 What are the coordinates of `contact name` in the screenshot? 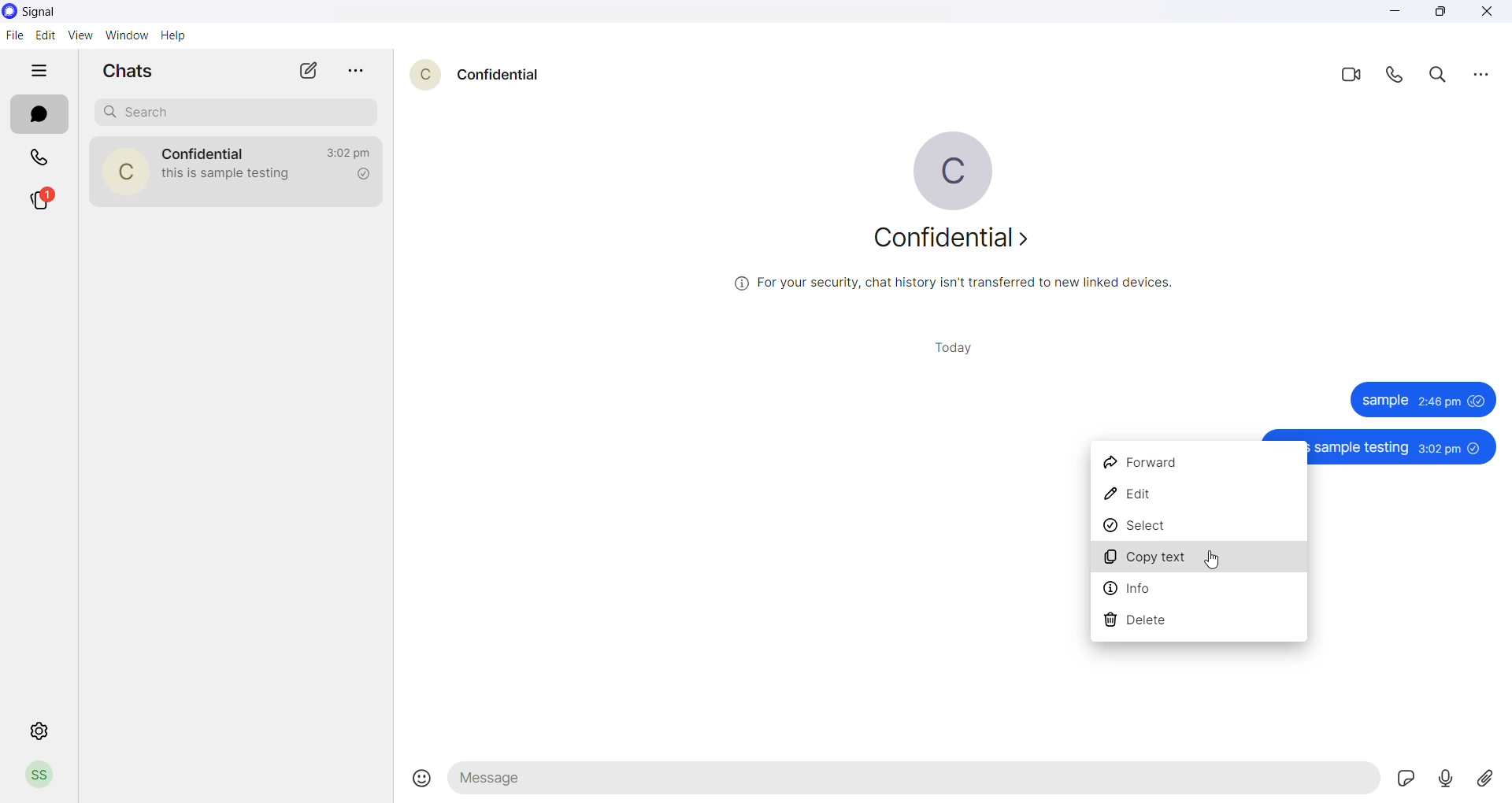 It's located at (498, 74).